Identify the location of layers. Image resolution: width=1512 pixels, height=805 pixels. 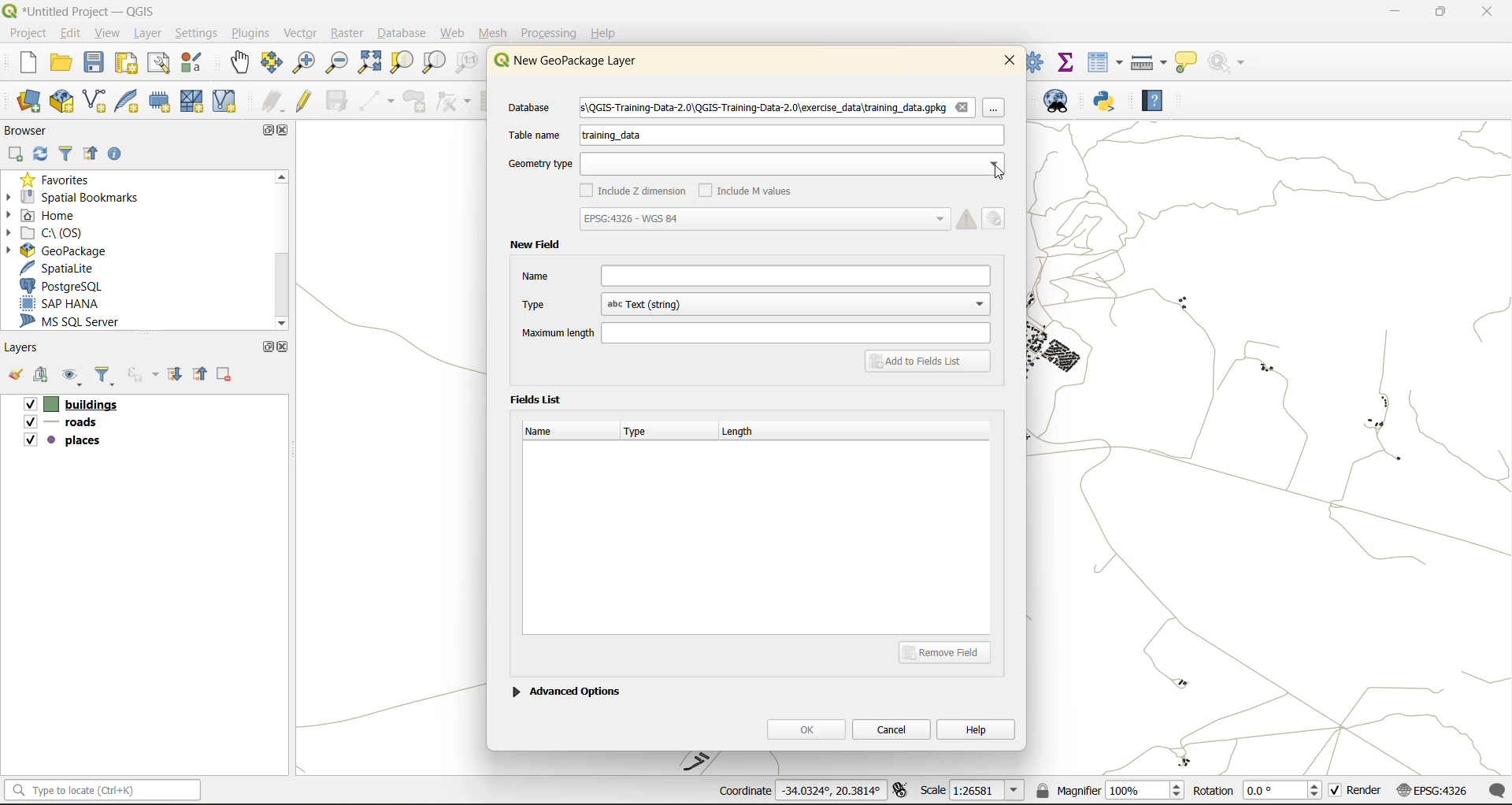
(25, 348).